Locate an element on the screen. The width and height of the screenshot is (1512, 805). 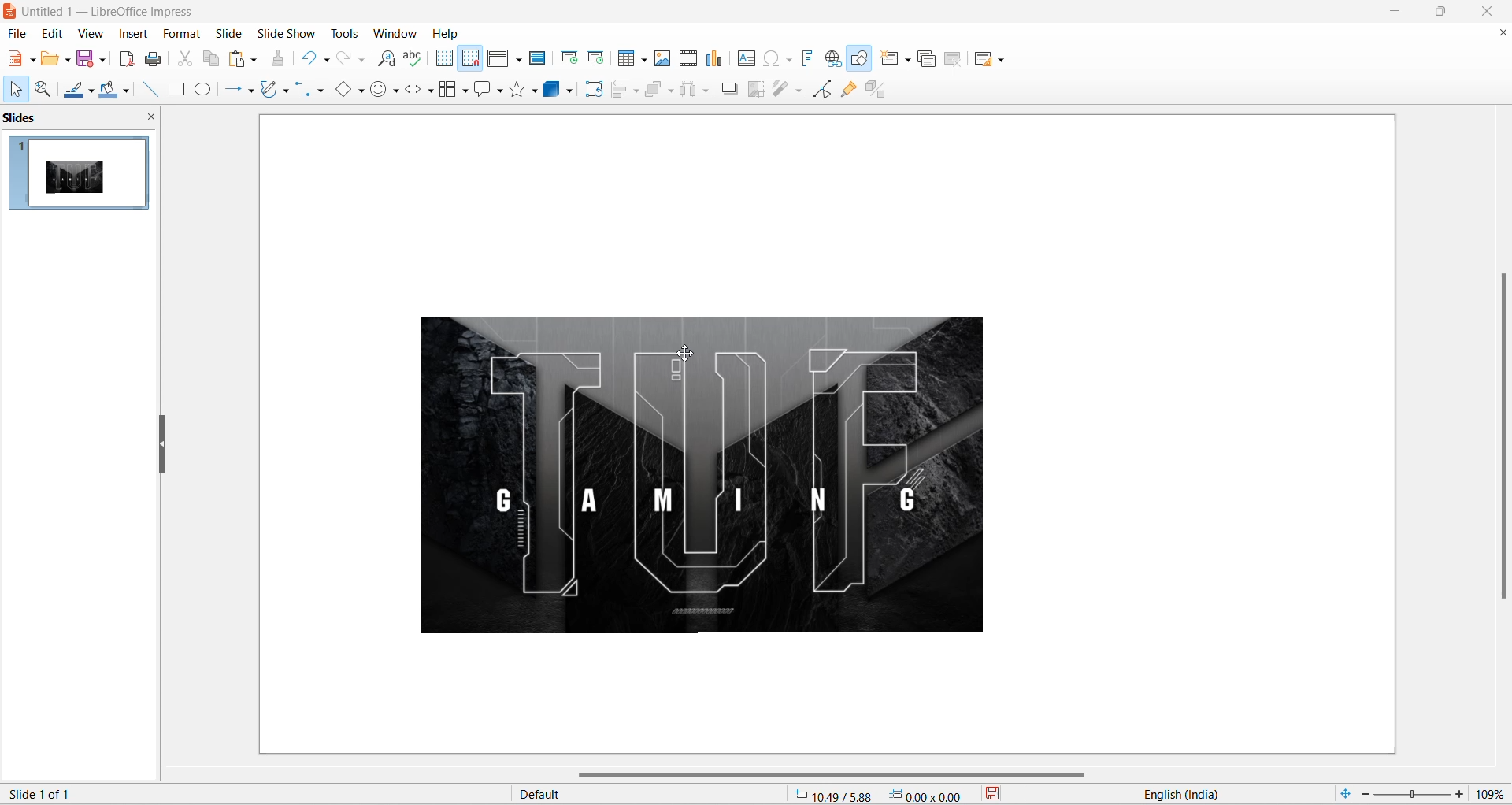
find and replace is located at coordinates (389, 59).